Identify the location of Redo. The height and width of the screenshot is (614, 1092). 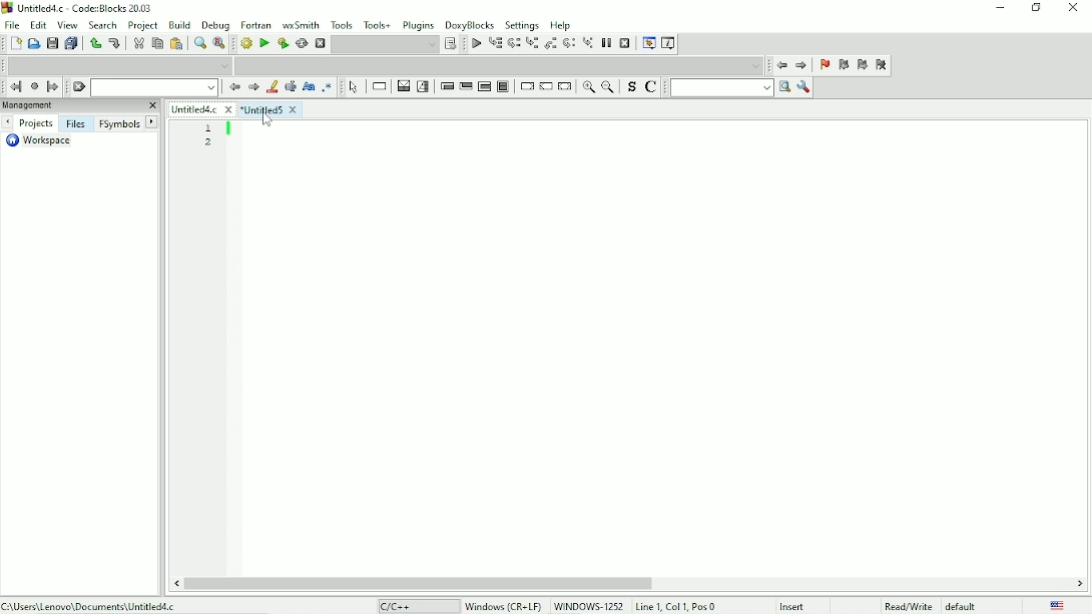
(115, 44).